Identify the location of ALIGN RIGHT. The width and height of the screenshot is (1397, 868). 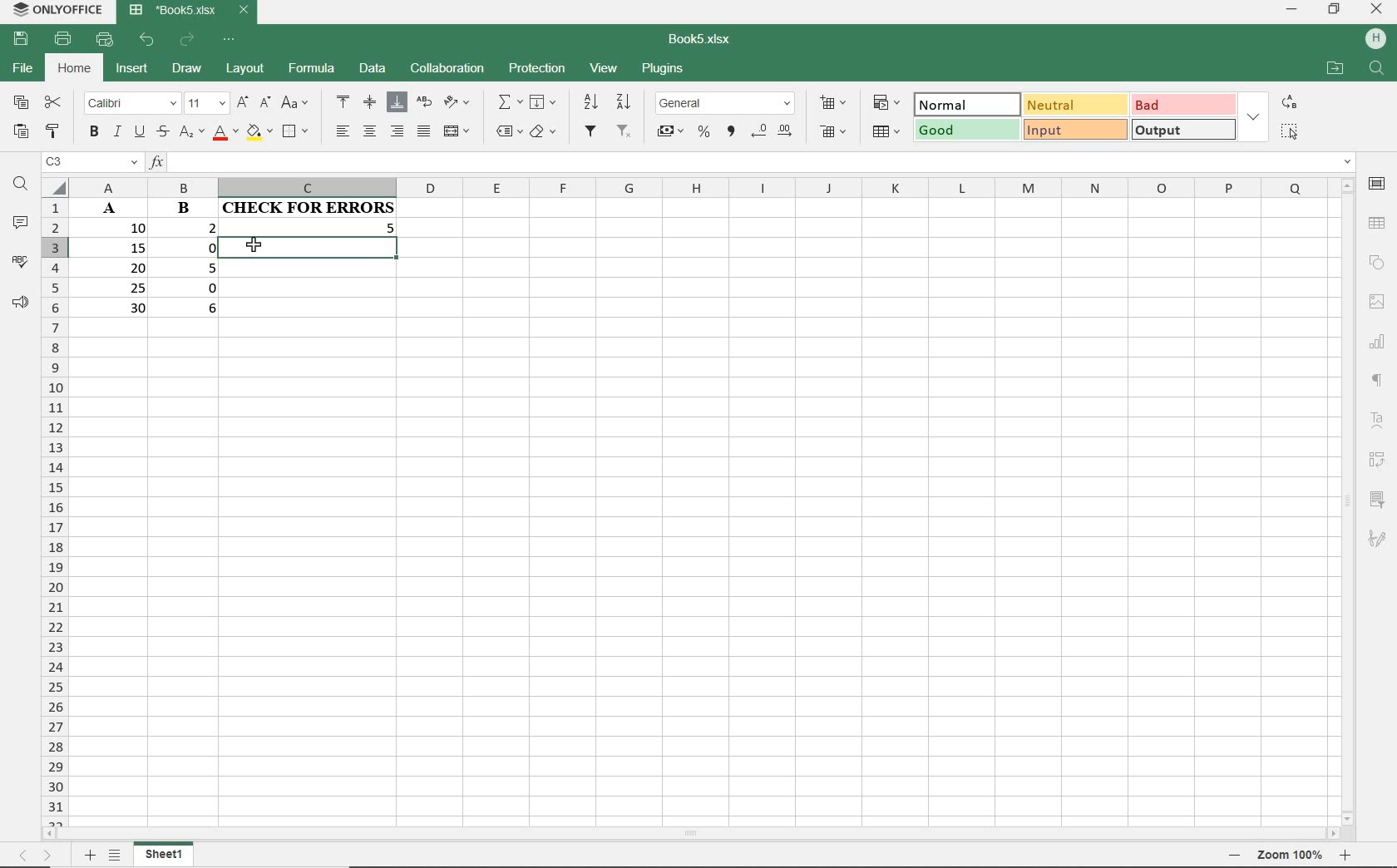
(397, 132).